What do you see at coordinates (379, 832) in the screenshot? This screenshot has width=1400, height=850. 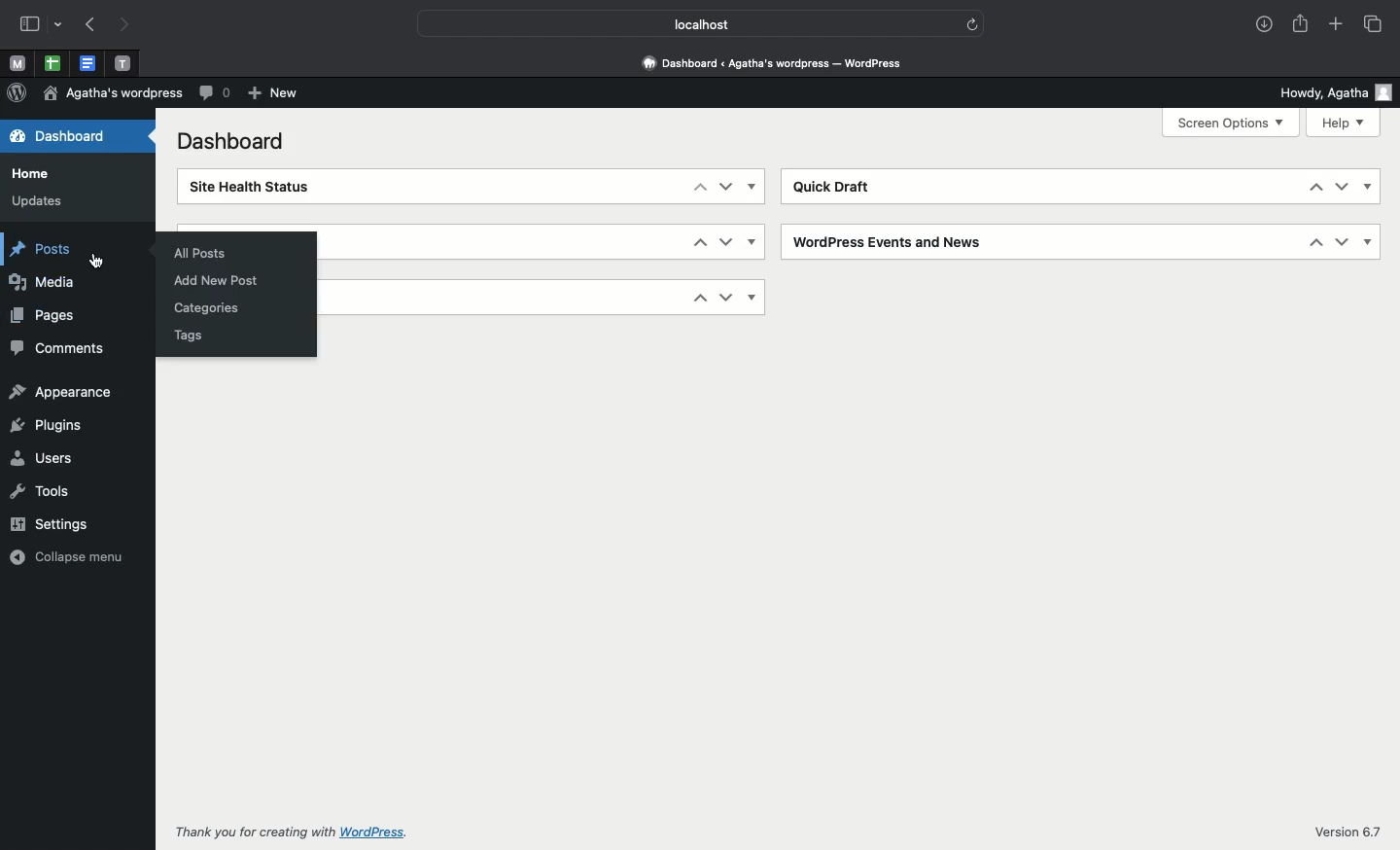 I see `wordpress.` at bounding box center [379, 832].